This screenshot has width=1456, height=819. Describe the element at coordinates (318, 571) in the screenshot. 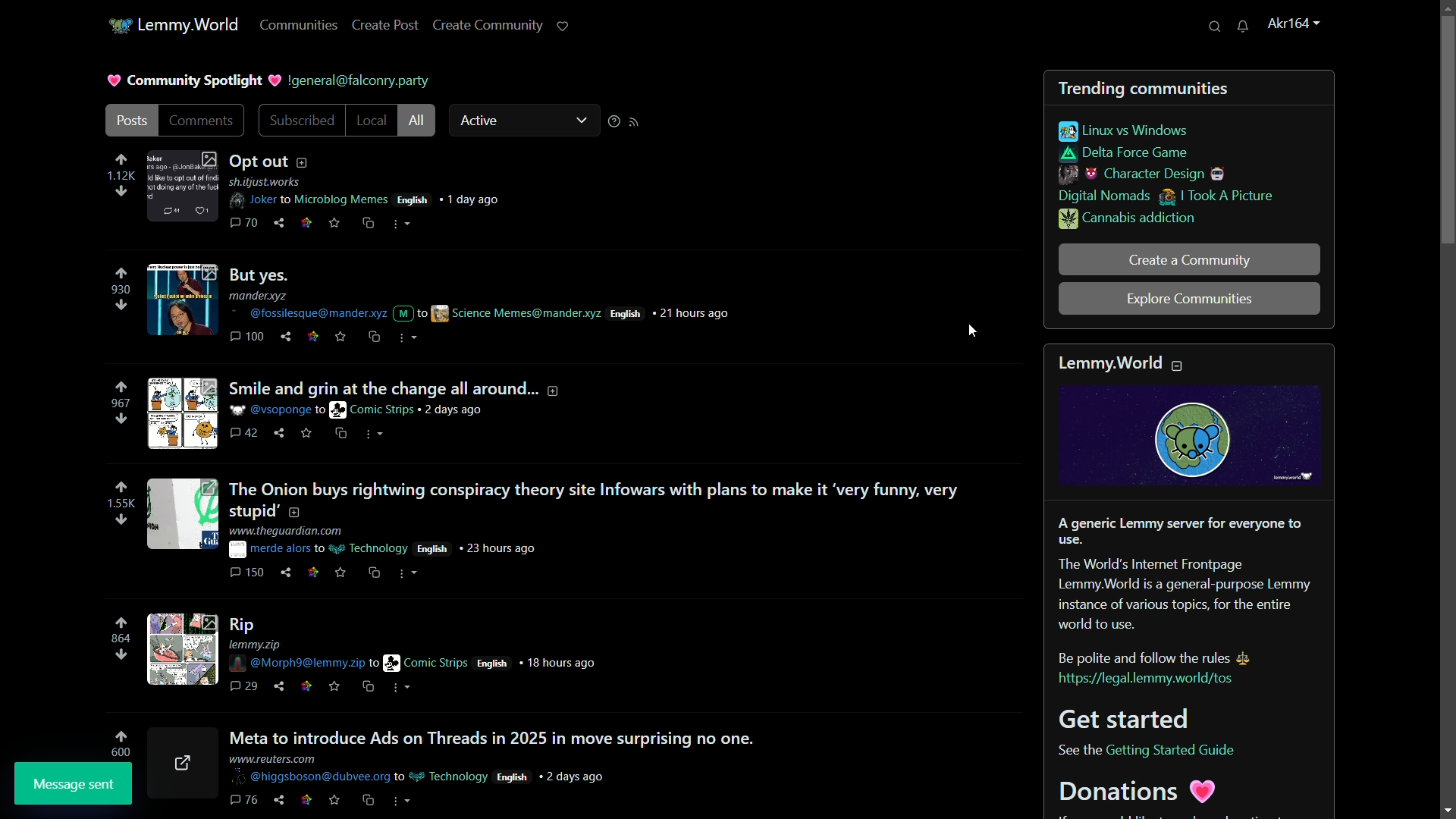

I see `link` at that location.